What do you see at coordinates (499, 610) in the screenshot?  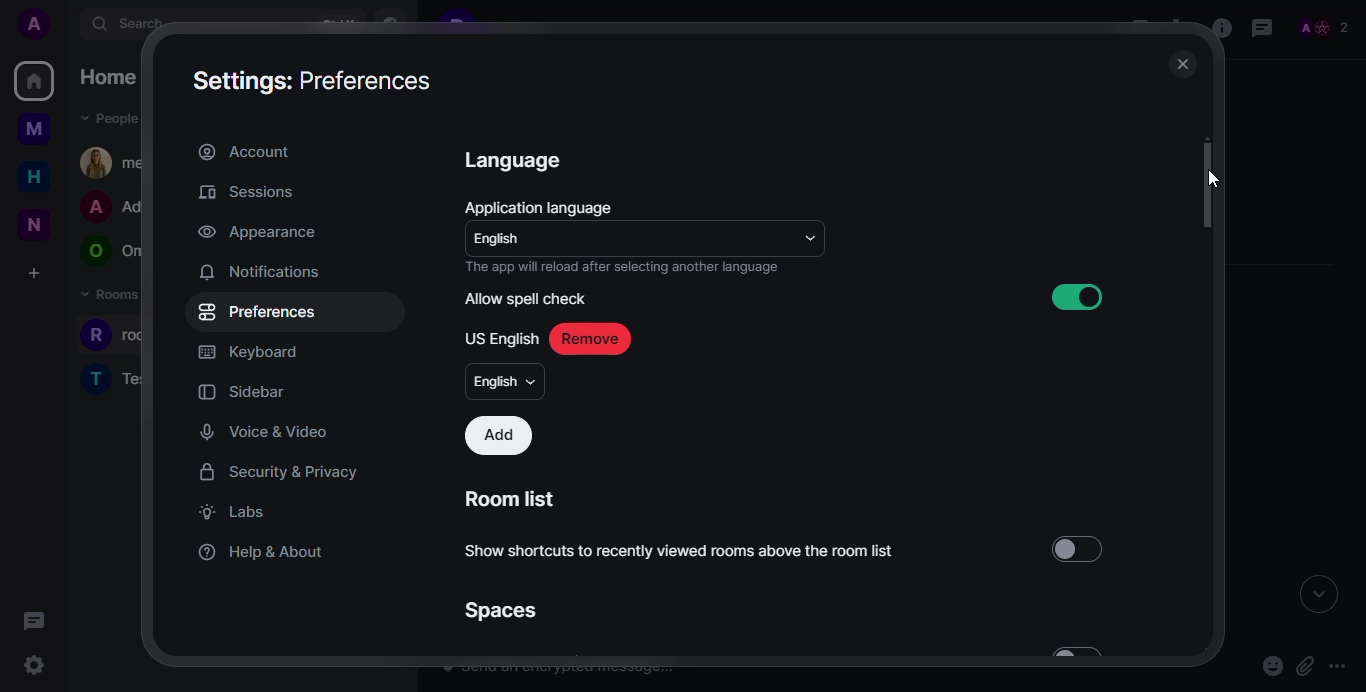 I see `spaces` at bounding box center [499, 610].